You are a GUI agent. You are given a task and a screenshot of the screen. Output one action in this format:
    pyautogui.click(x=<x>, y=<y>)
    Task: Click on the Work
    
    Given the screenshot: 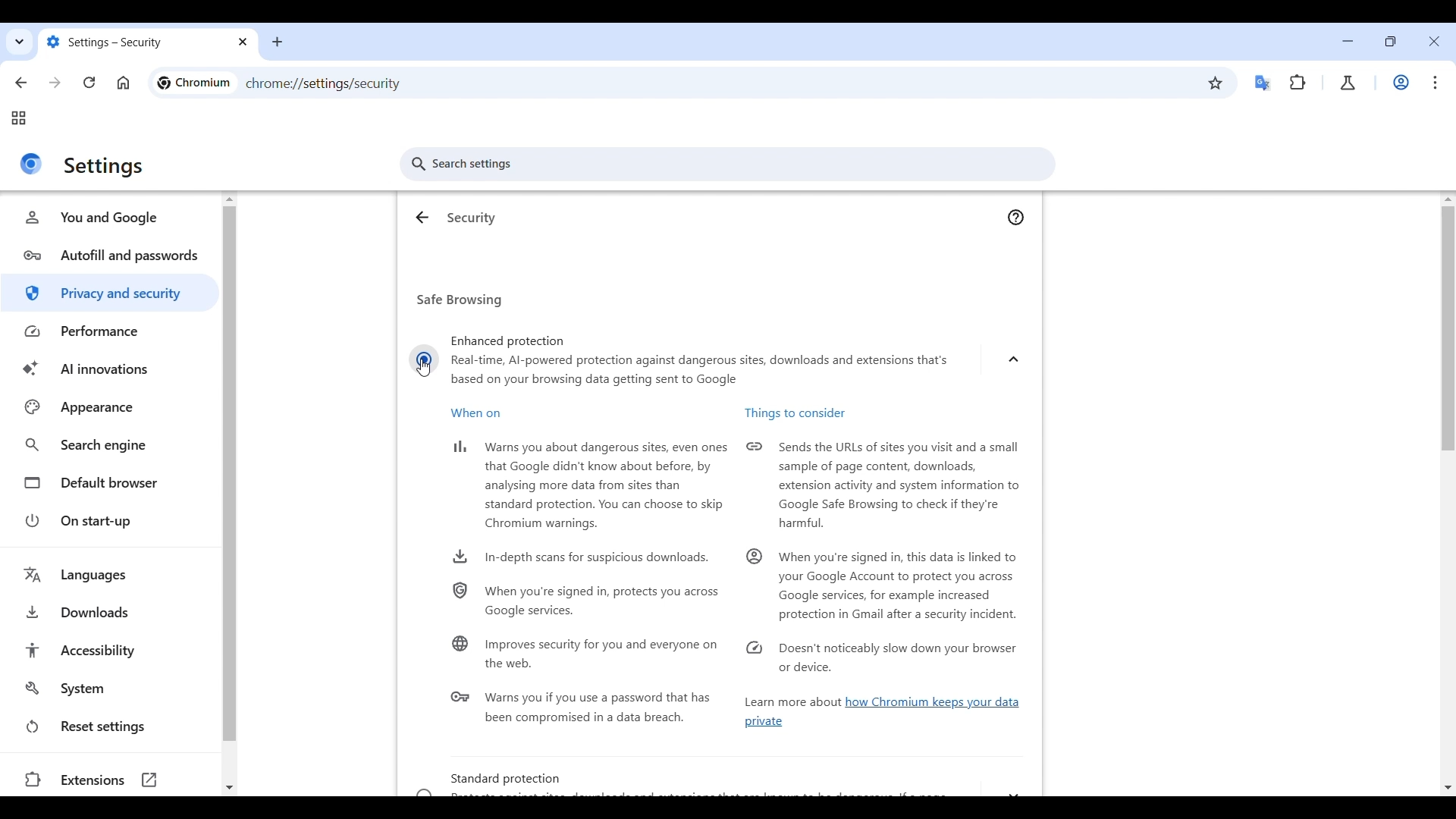 What is the action you would take?
    pyautogui.click(x=1401, y=83)
    